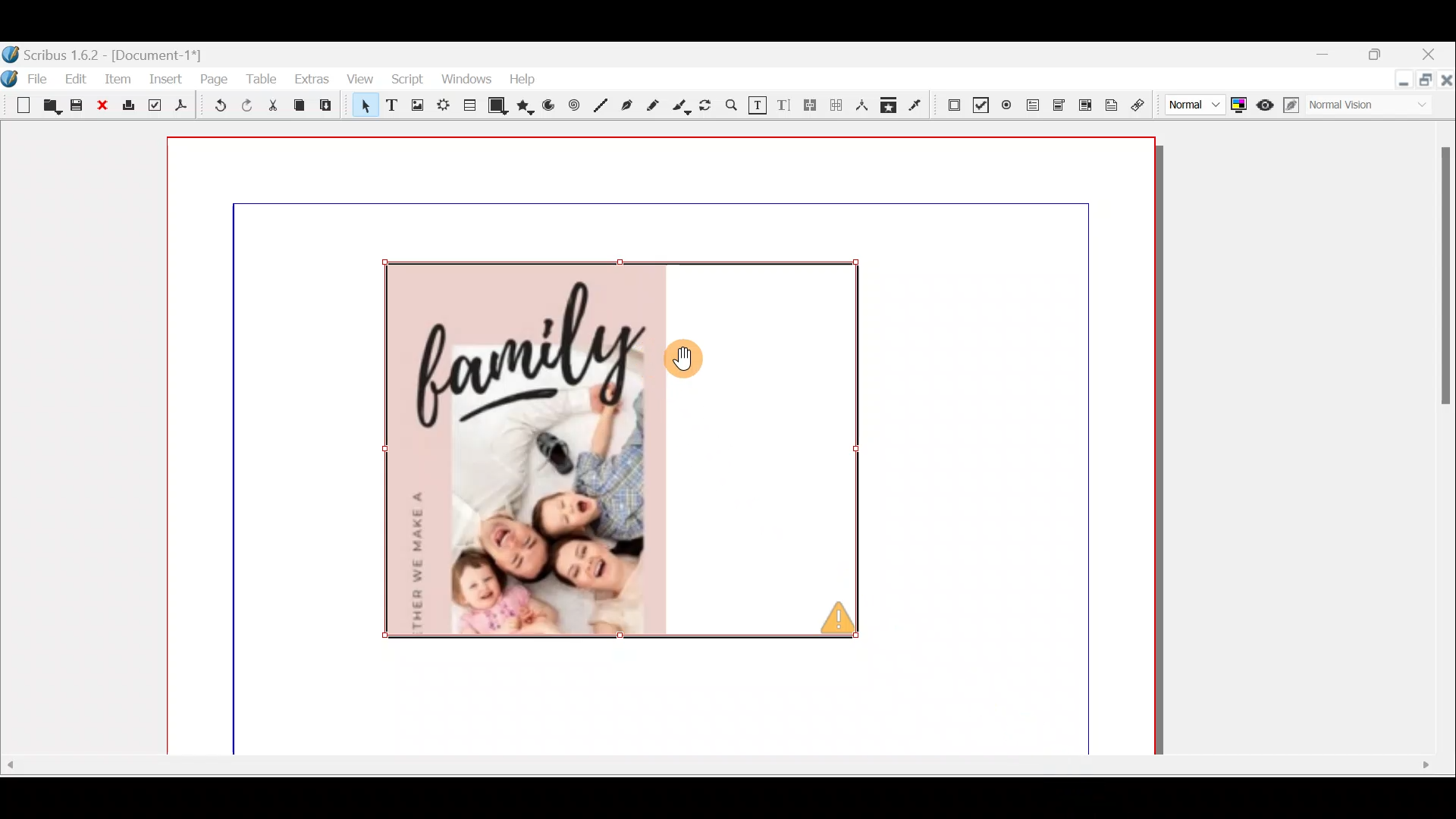  What do you see at coordinates (1239, 102) in the screenshot?
I see `Toggle colour management system` at bounding box center [1239, 102].